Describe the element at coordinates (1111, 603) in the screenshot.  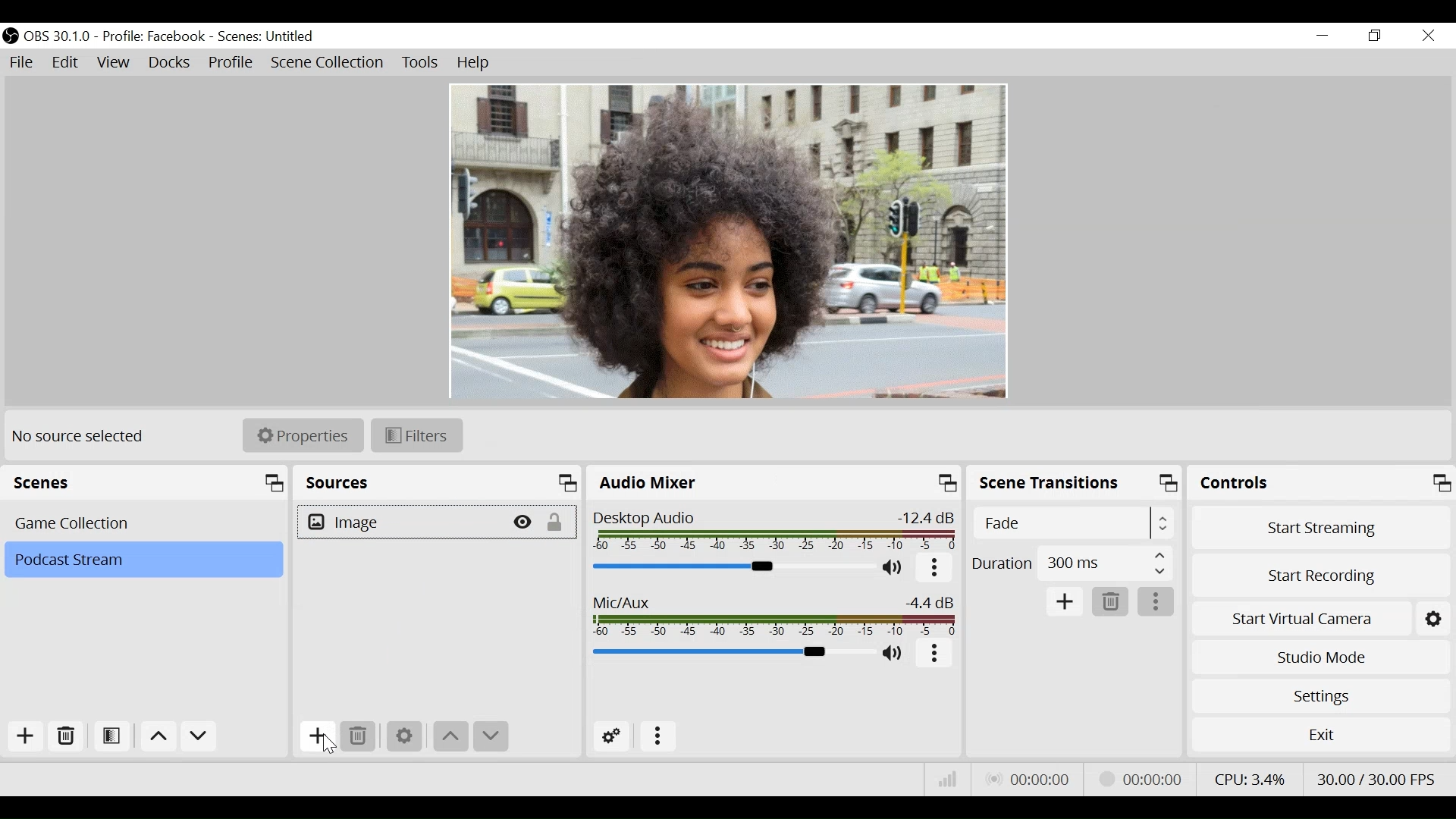
I see `Delete` at that location.